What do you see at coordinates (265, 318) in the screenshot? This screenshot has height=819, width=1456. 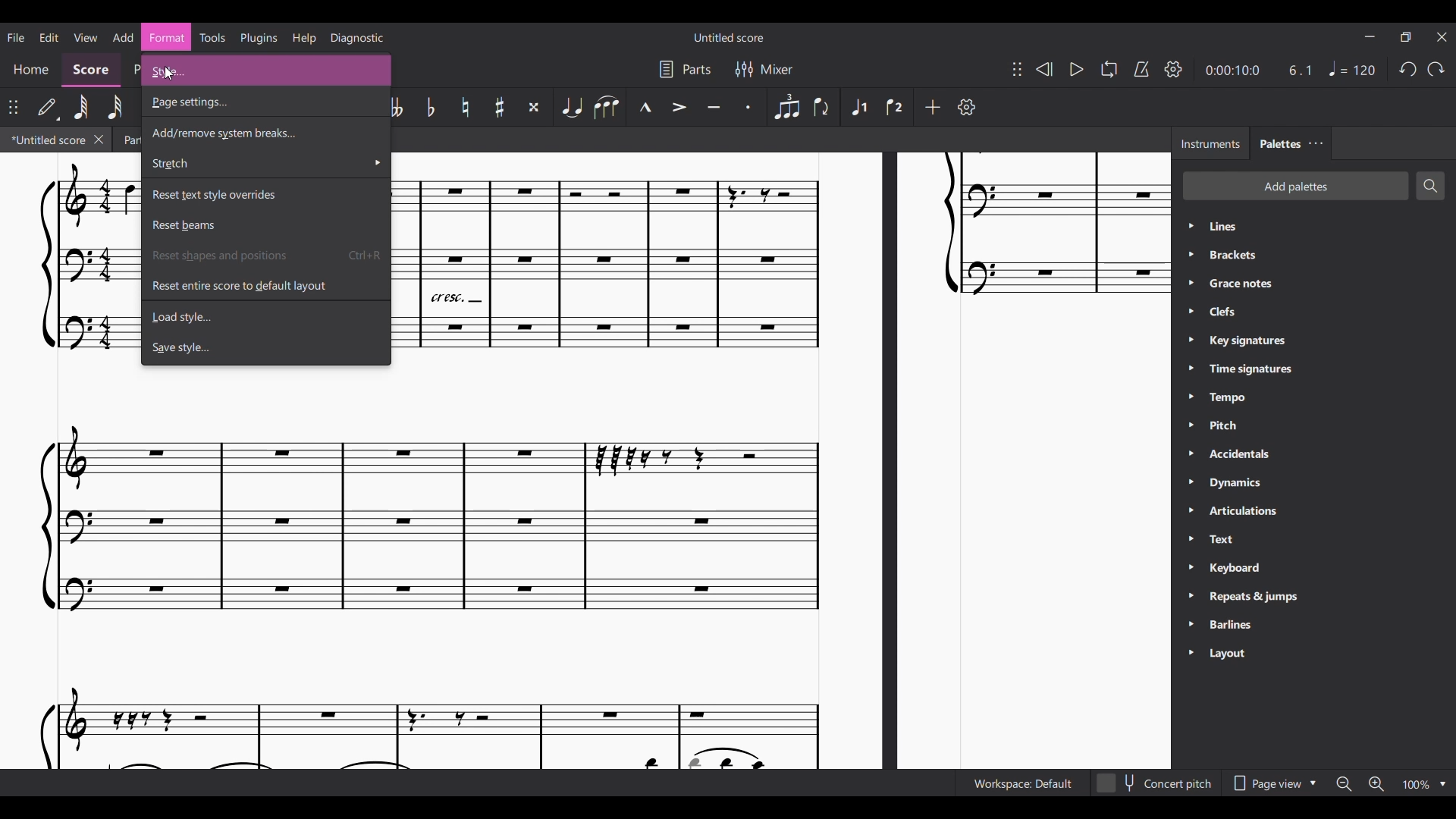 I see `Load style` at bounding box center [265, 318].